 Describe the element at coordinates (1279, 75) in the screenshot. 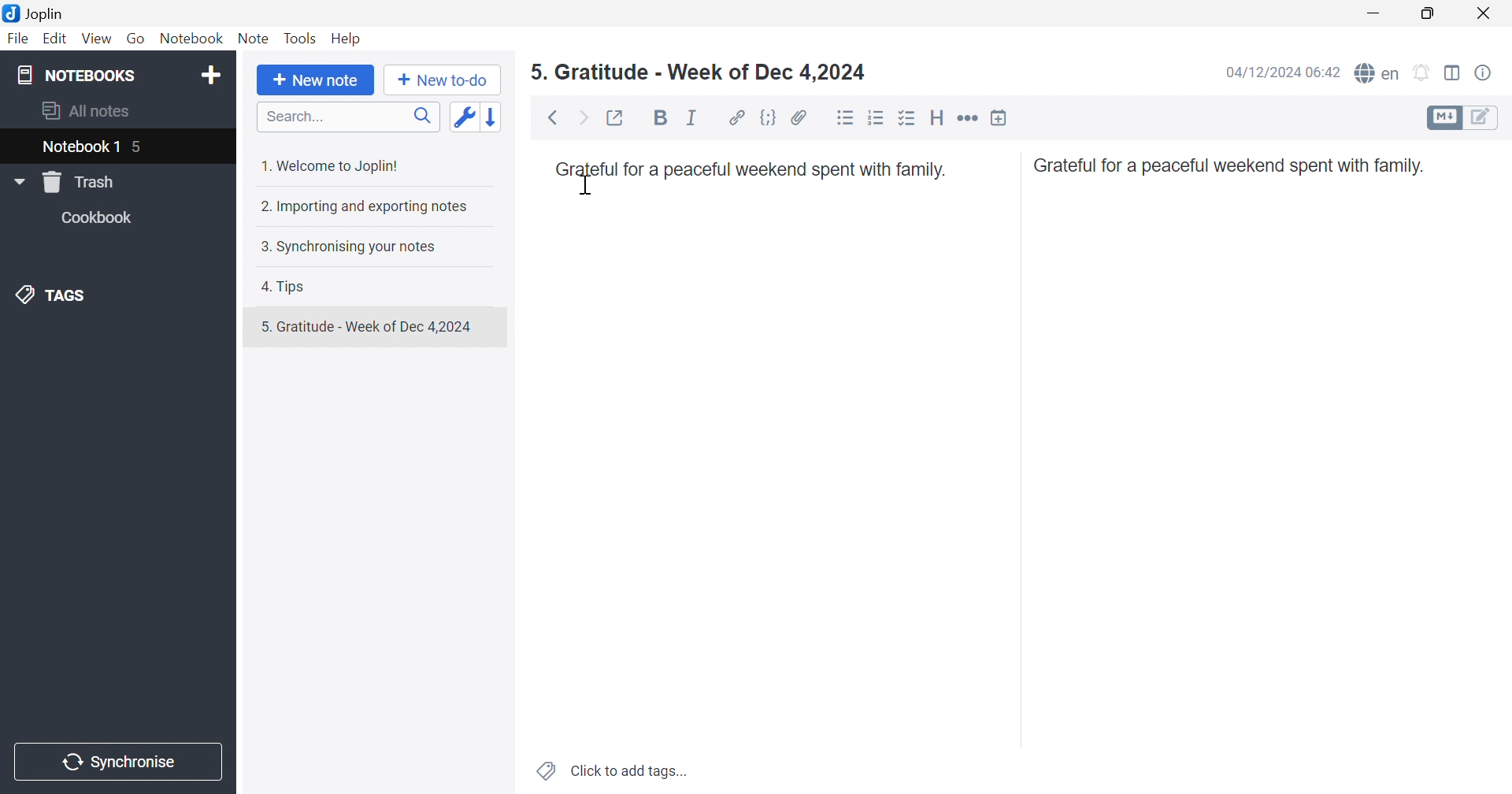

I see `04/12/2024 06:42` at that location.